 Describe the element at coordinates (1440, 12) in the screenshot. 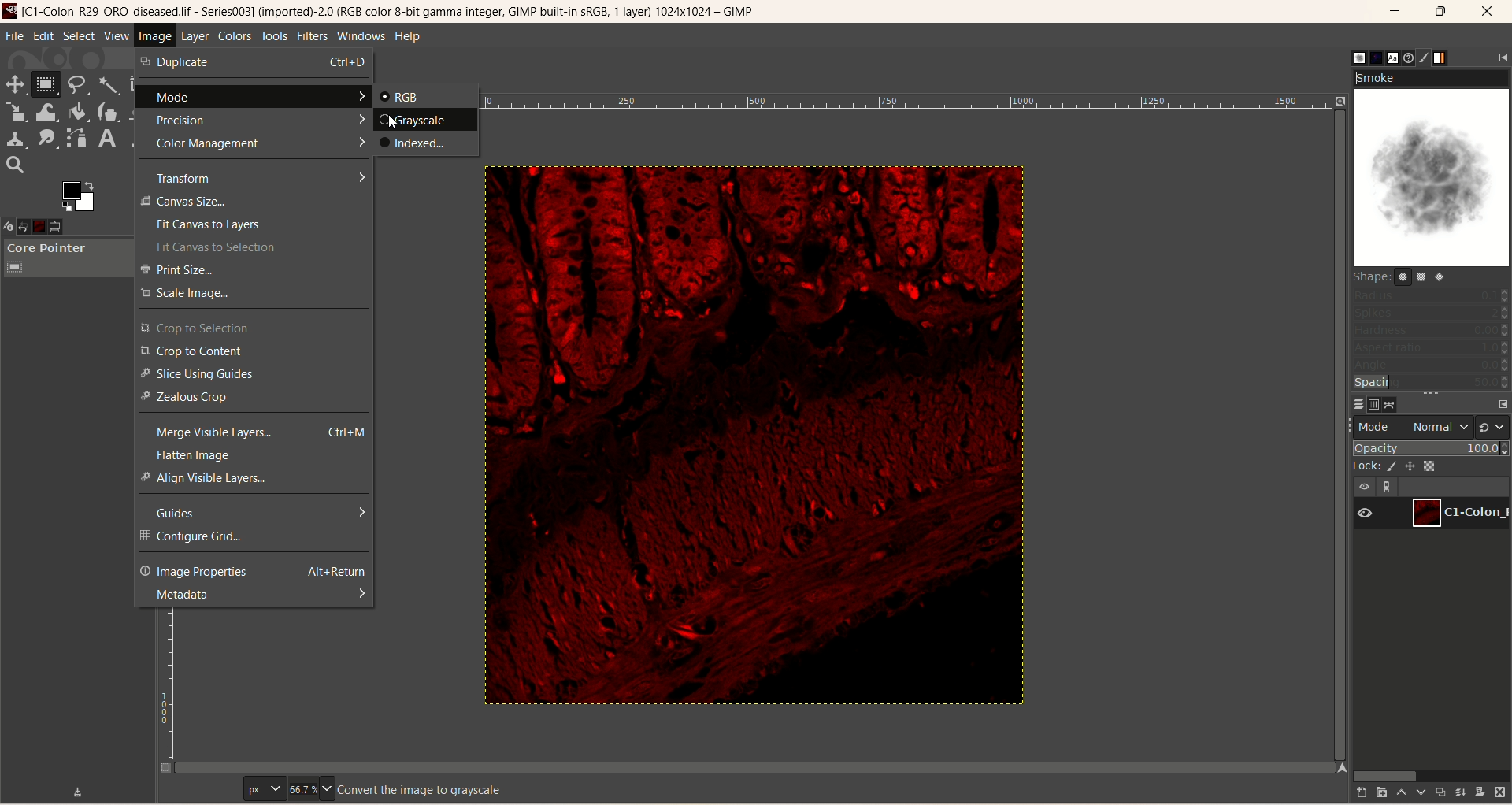

I see `maximize` at that location.